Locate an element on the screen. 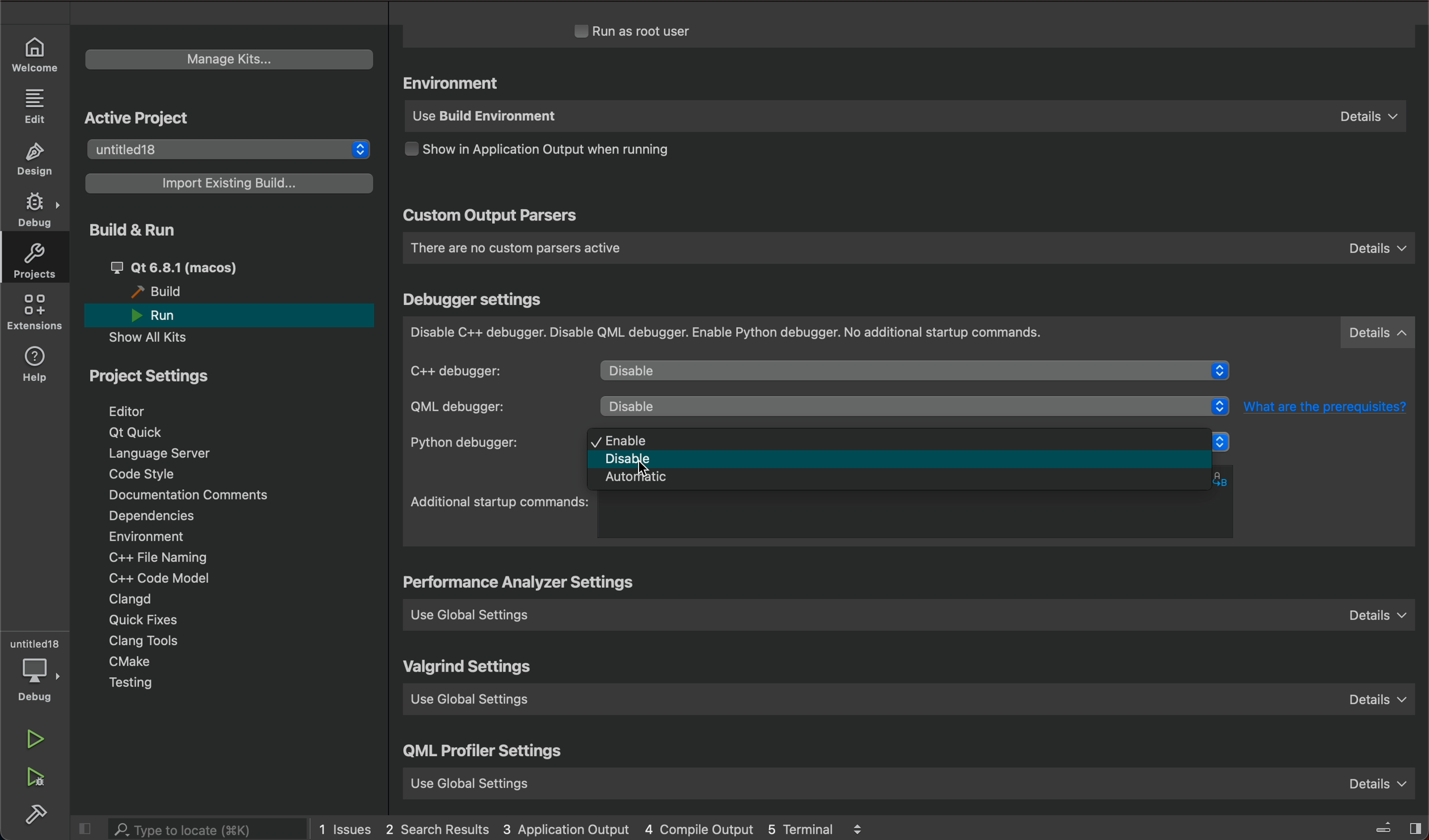  cmake is located at coordinates (130, 661).